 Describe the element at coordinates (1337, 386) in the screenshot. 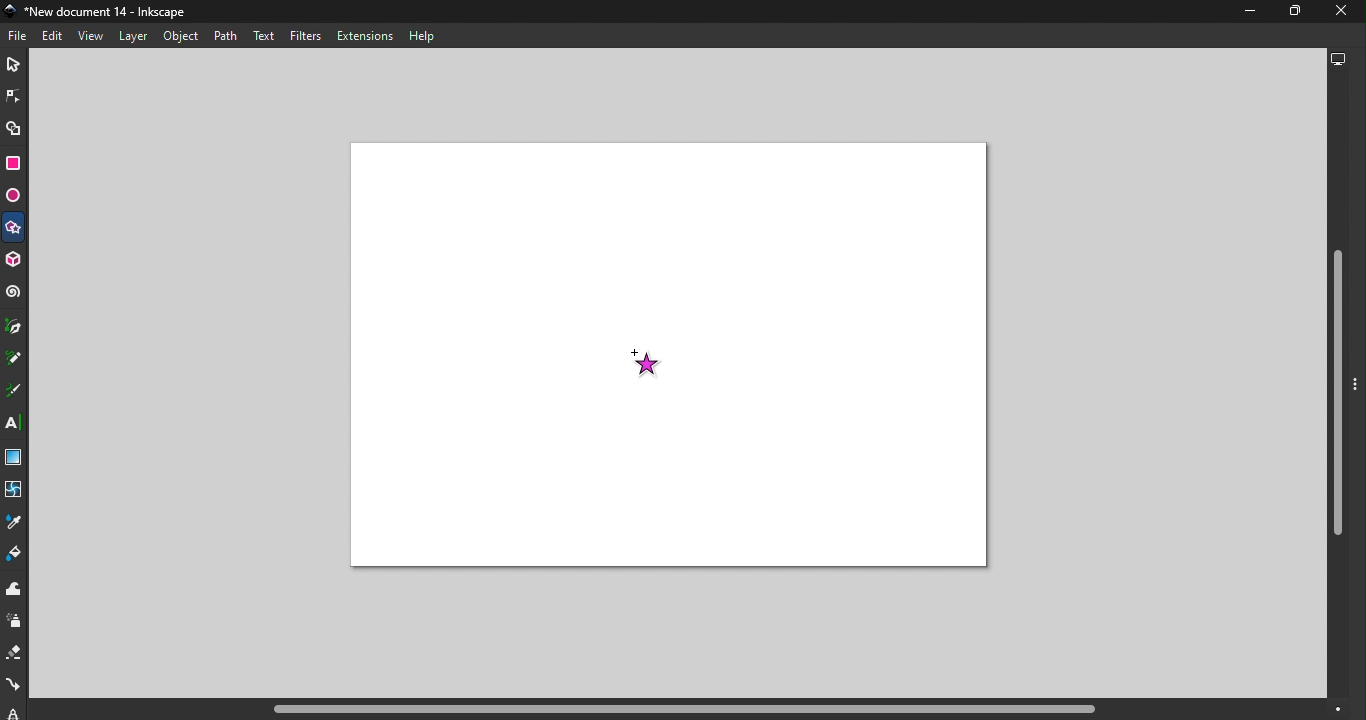

I see `Vertical scroll bar` at that location.